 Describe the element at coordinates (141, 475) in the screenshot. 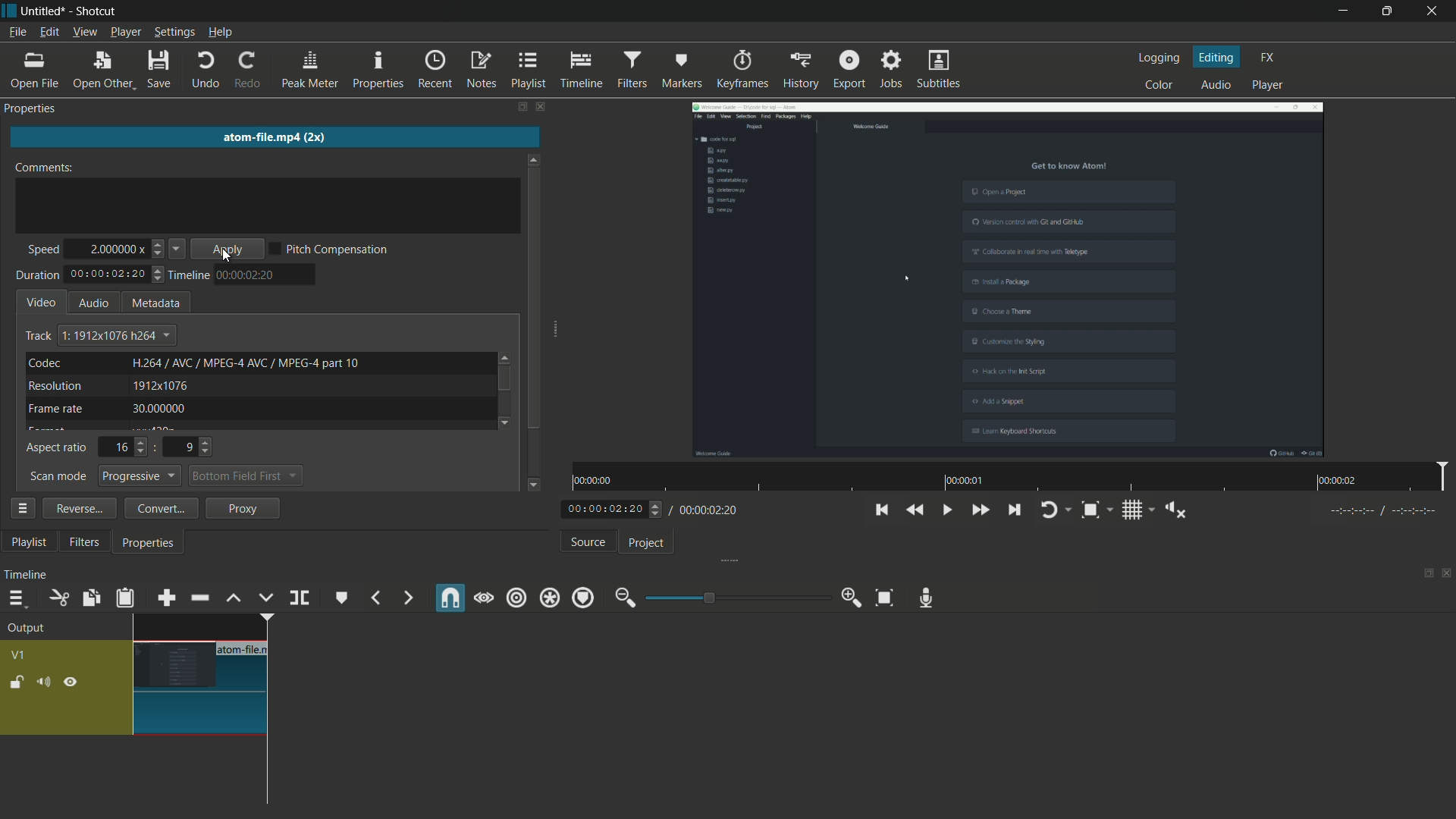

I see `progressive` at that location.